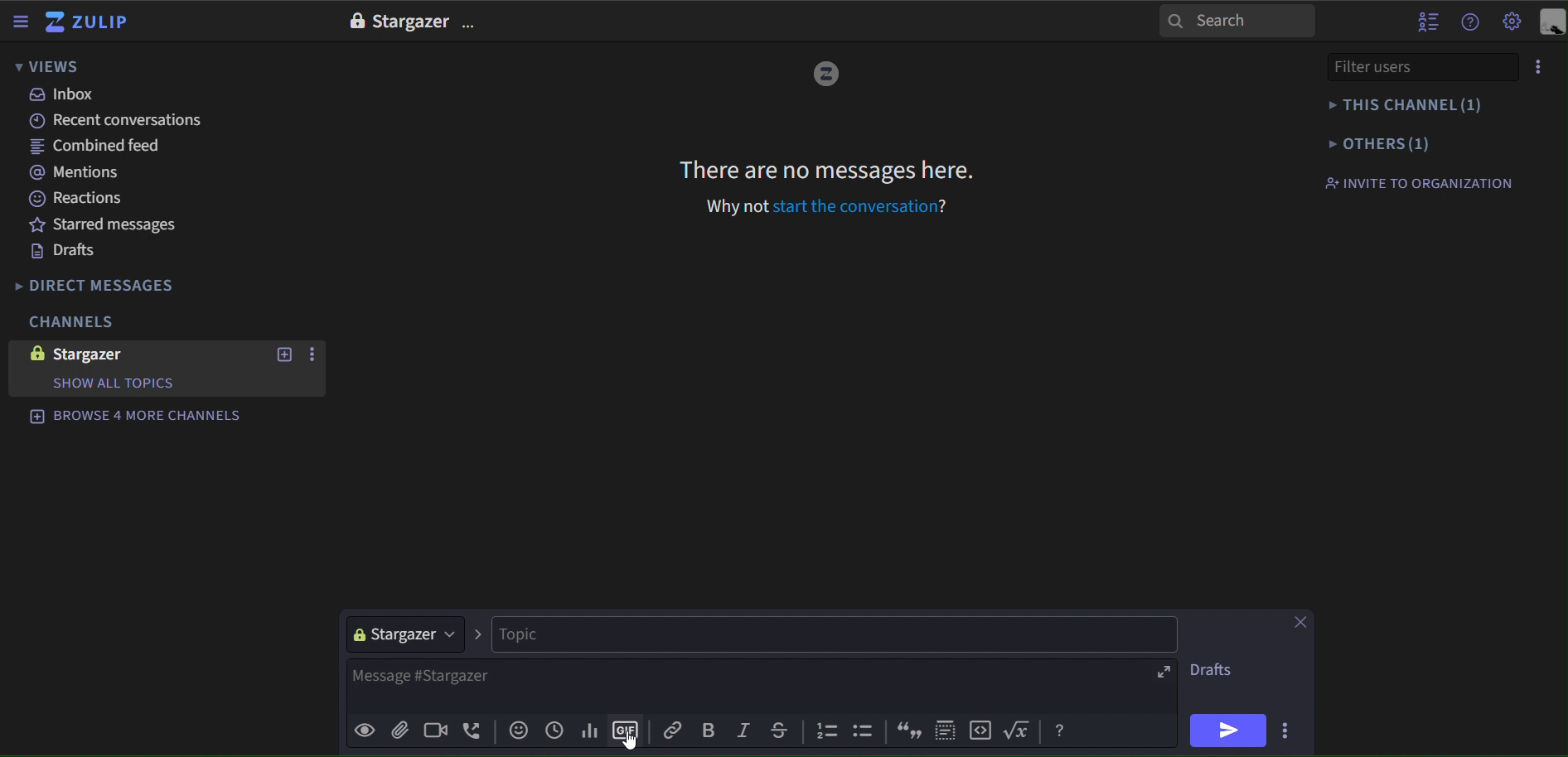 This screenshot has width=1568, height=757. I want to click on Others(1), so click(1414, 142).